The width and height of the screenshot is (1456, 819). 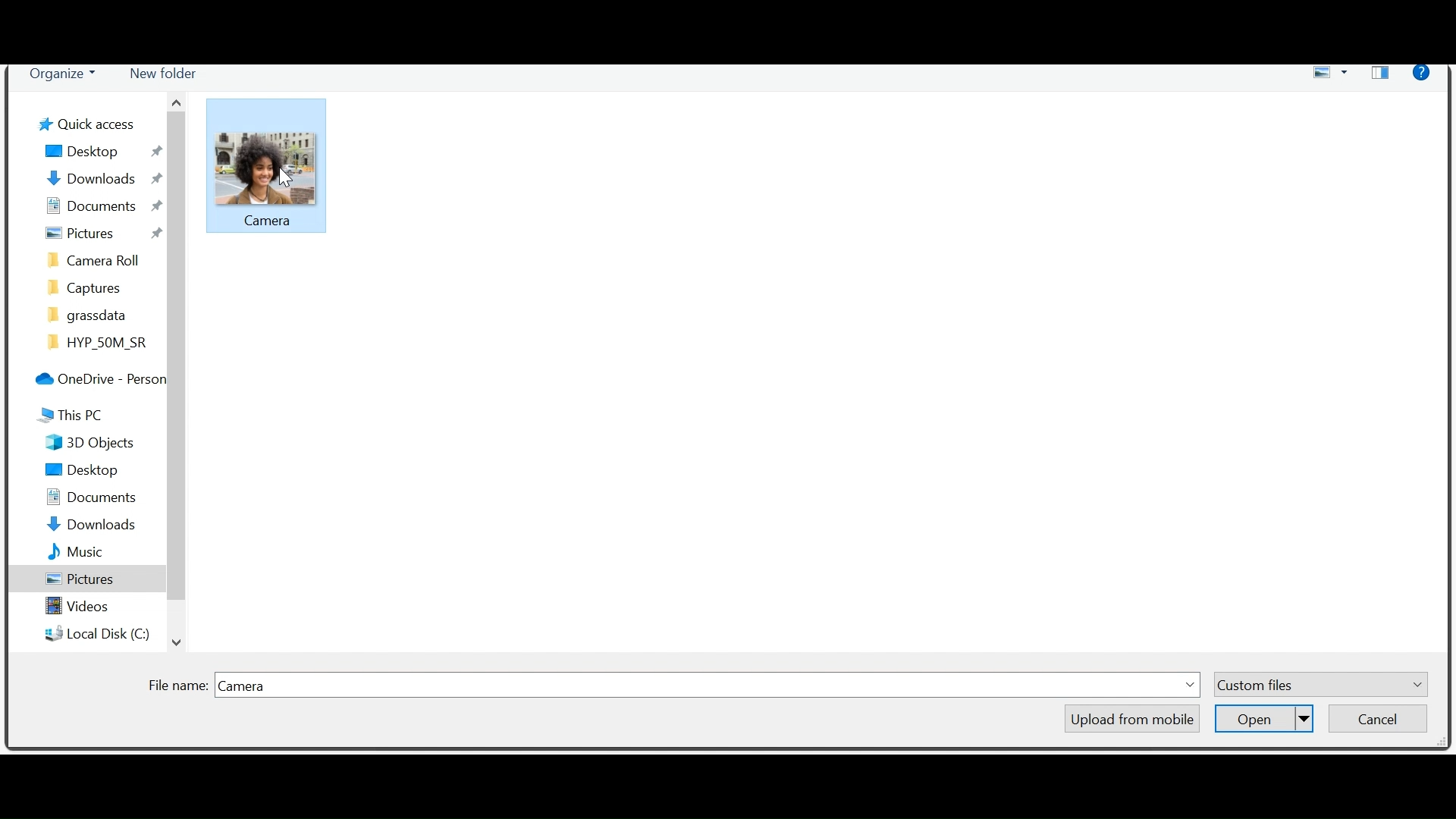 What do you see at coordinates (94, 443) in the screenshot?
I see `3D Objects` at bounding box center [94, 443].